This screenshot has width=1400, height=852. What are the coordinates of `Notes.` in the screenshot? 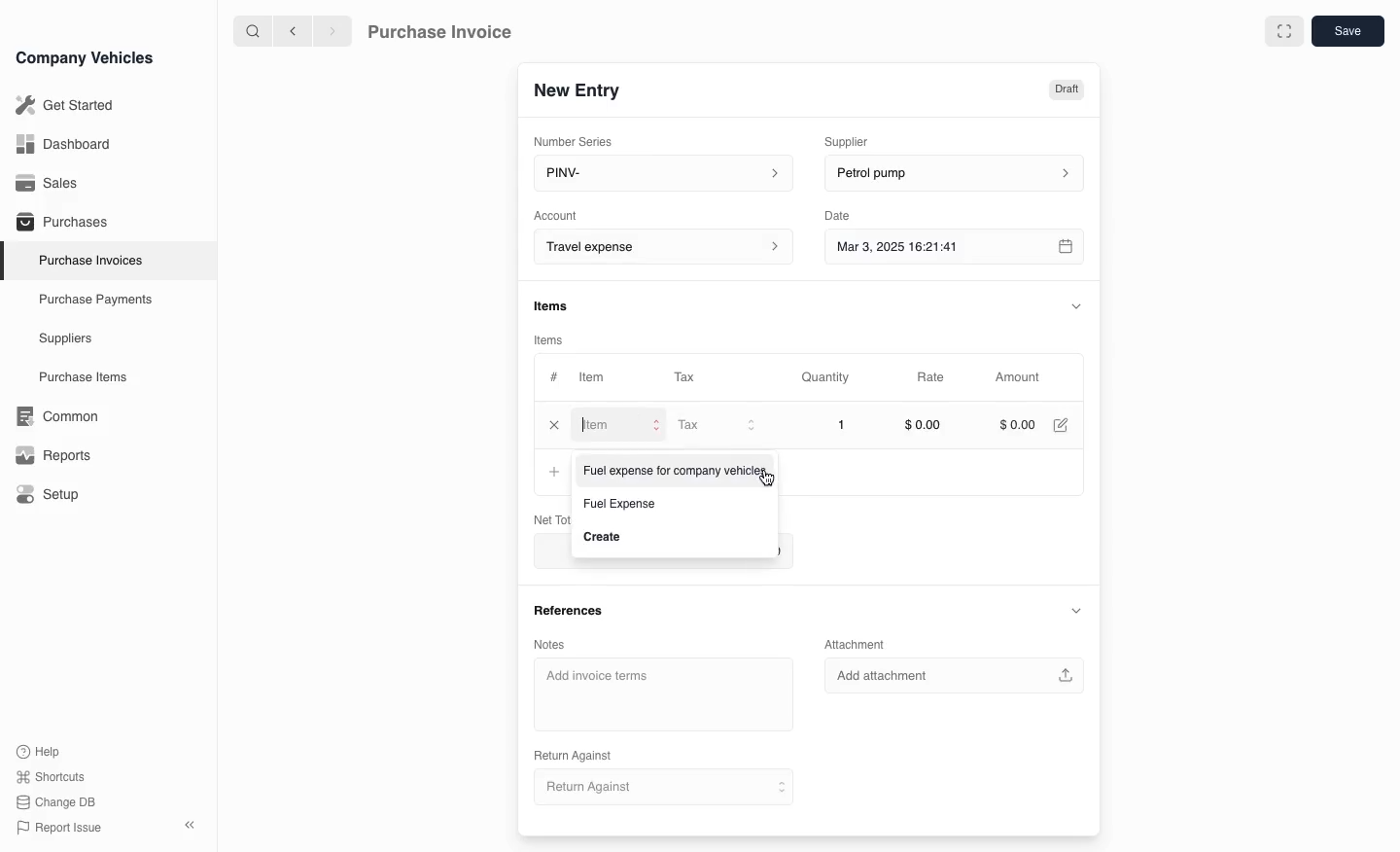 It's located at (561, 641).